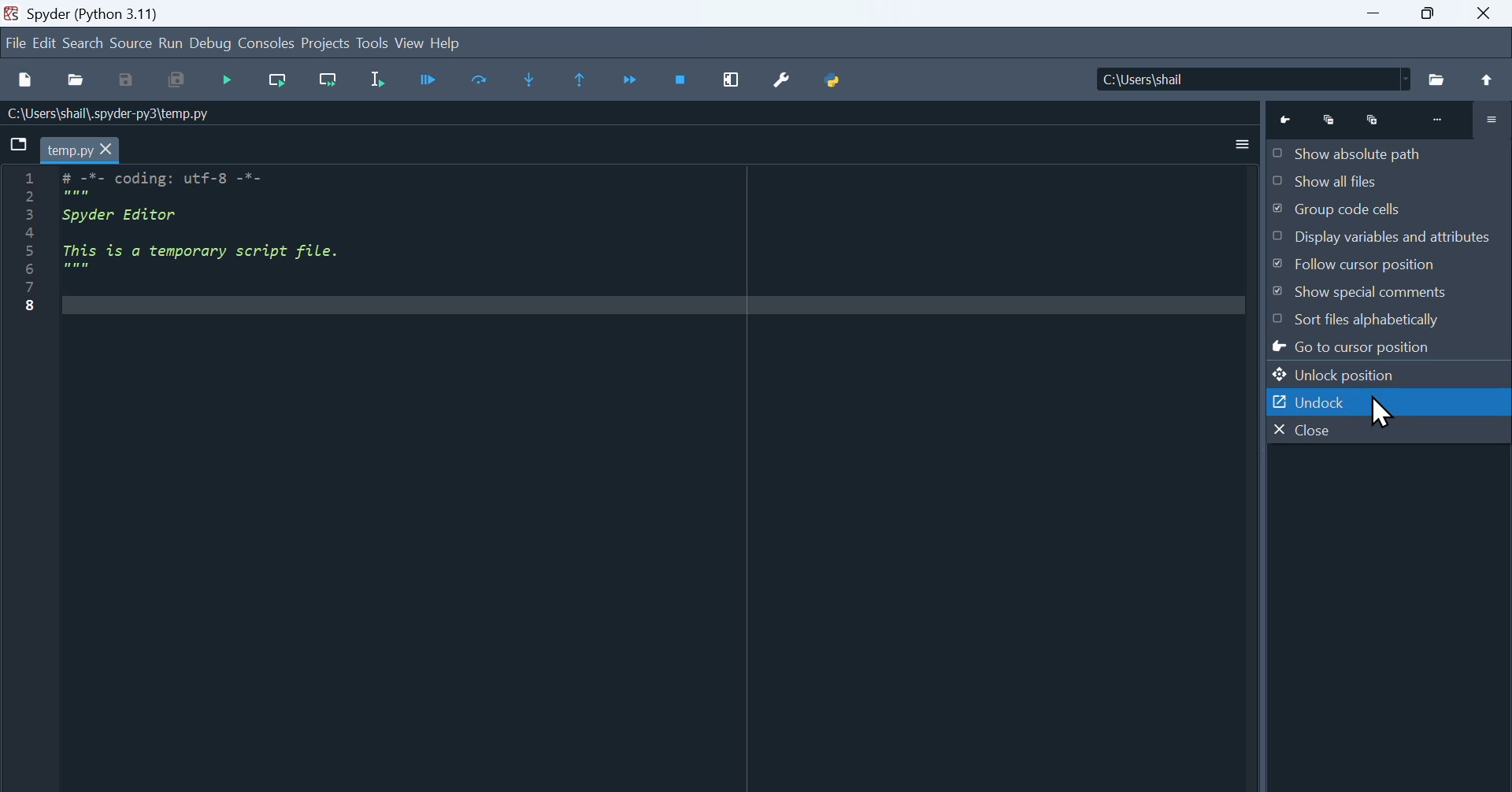 This screenshot has height=792, width=1512. I want to click on Open file, so click(76, 80).